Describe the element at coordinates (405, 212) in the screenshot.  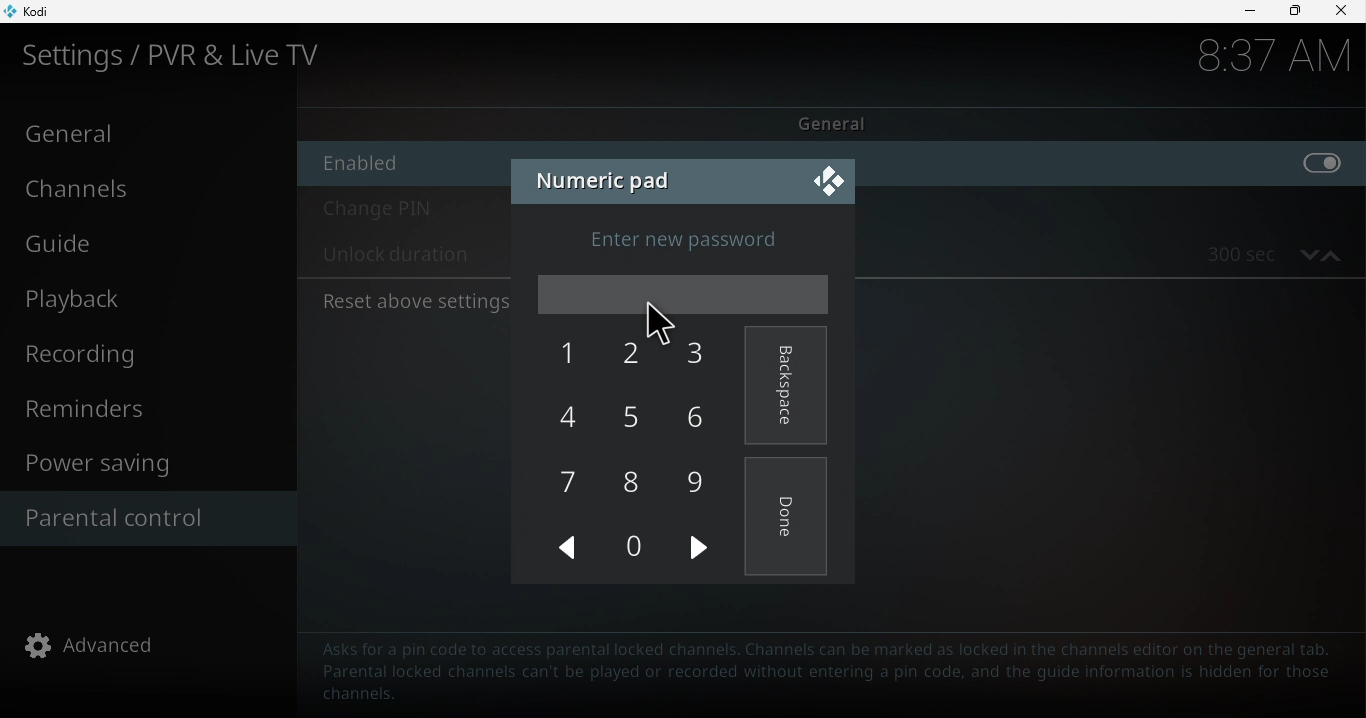
I see `Change pin` at that location.